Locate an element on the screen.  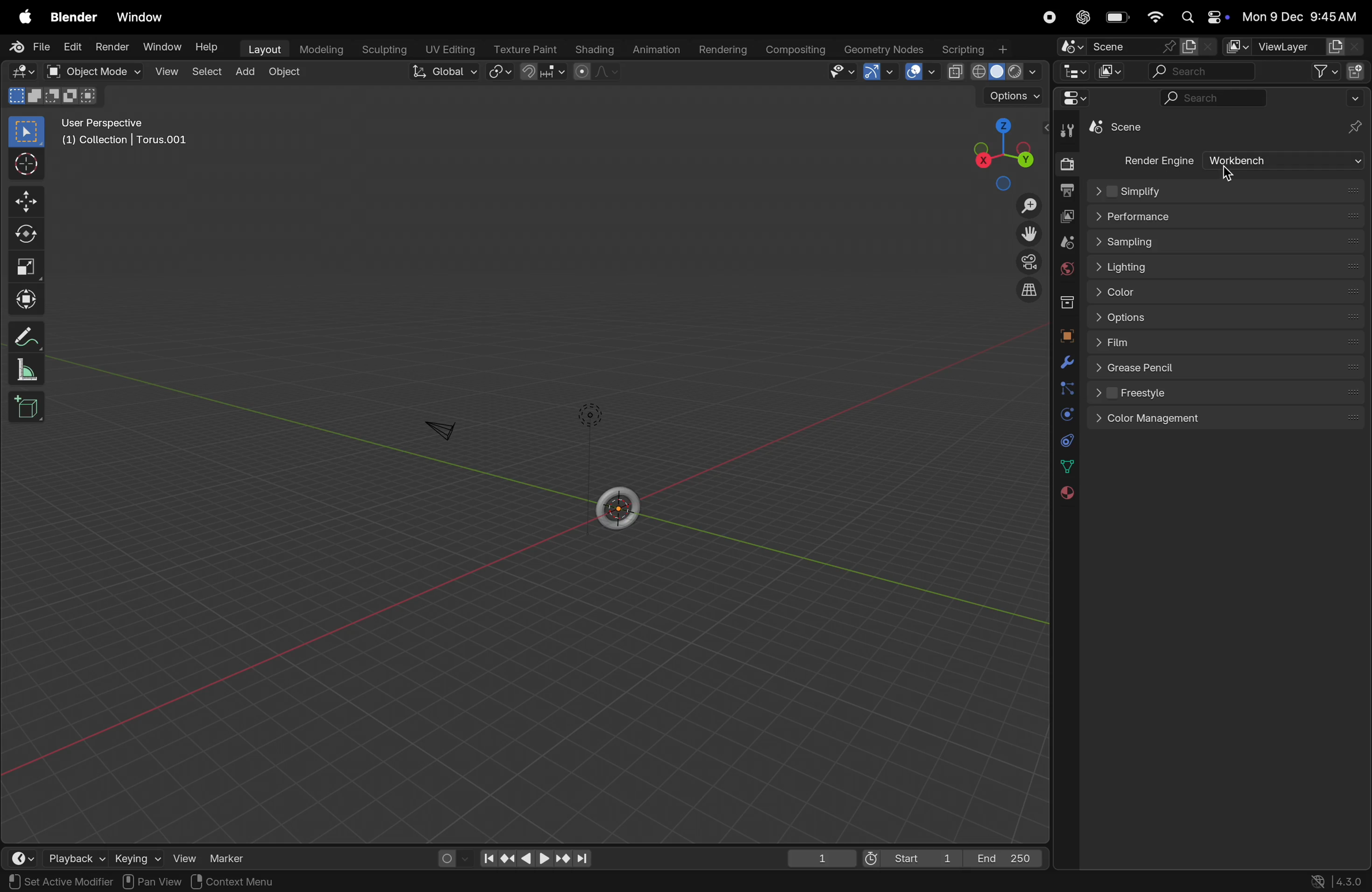
rendering is located at coordinates (725, 48).